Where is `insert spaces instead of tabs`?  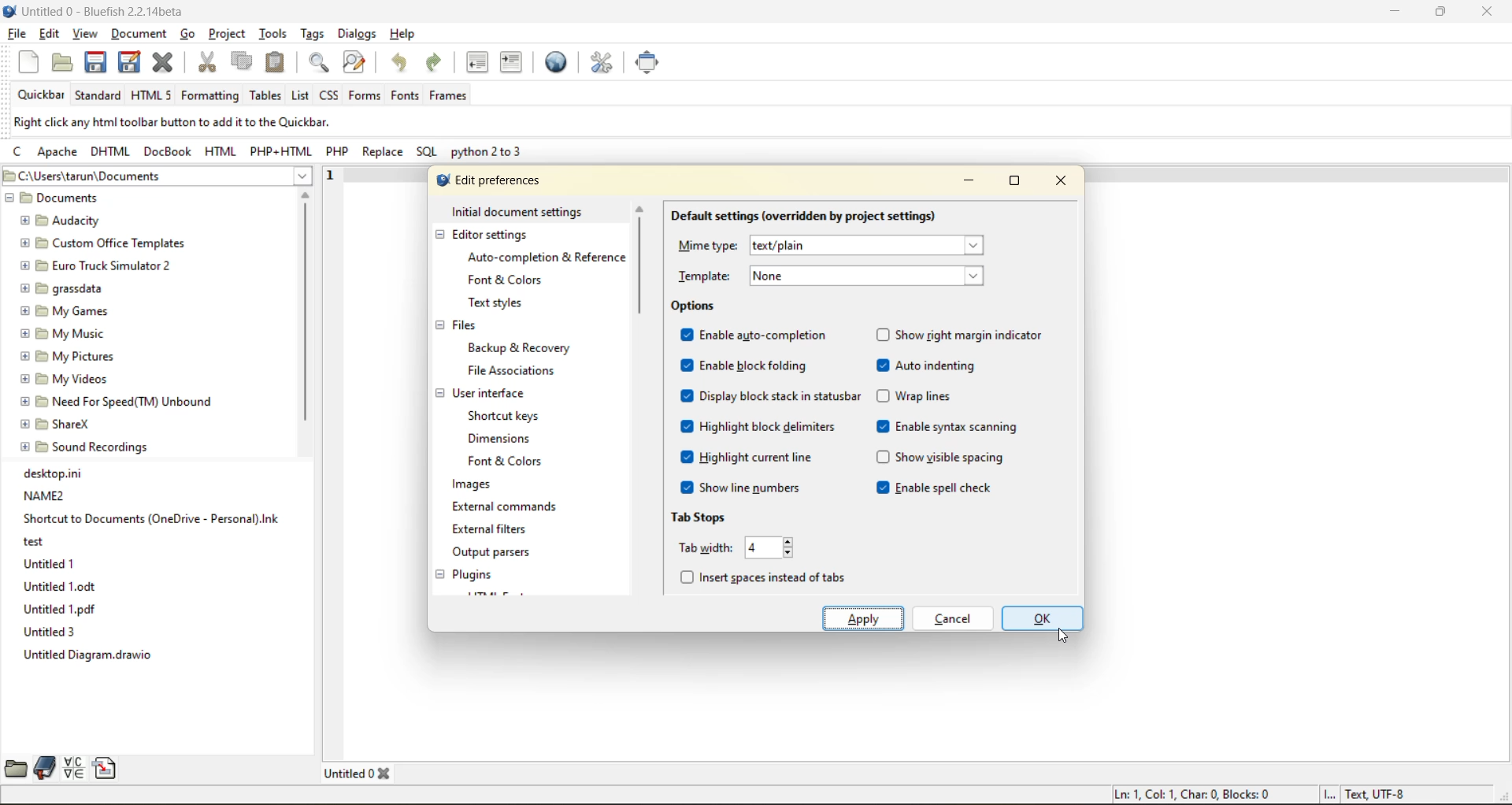 insert spaces instead of tabs is located at coordinates (766, 573).